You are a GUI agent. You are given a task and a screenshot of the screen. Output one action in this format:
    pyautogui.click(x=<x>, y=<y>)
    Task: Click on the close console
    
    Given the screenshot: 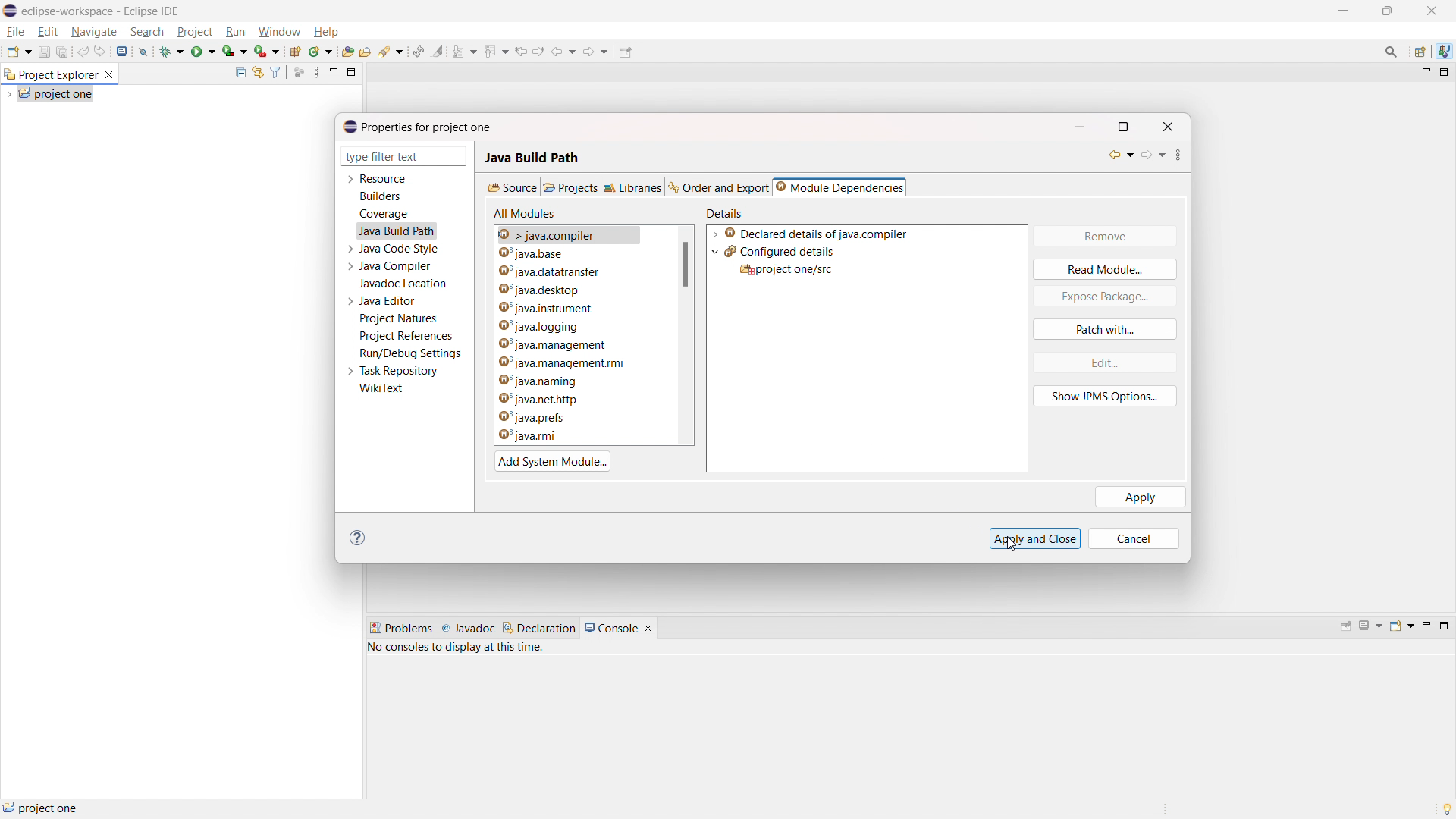 What is the action you would take?
    pyautogui.click(x=648, y=629)
    